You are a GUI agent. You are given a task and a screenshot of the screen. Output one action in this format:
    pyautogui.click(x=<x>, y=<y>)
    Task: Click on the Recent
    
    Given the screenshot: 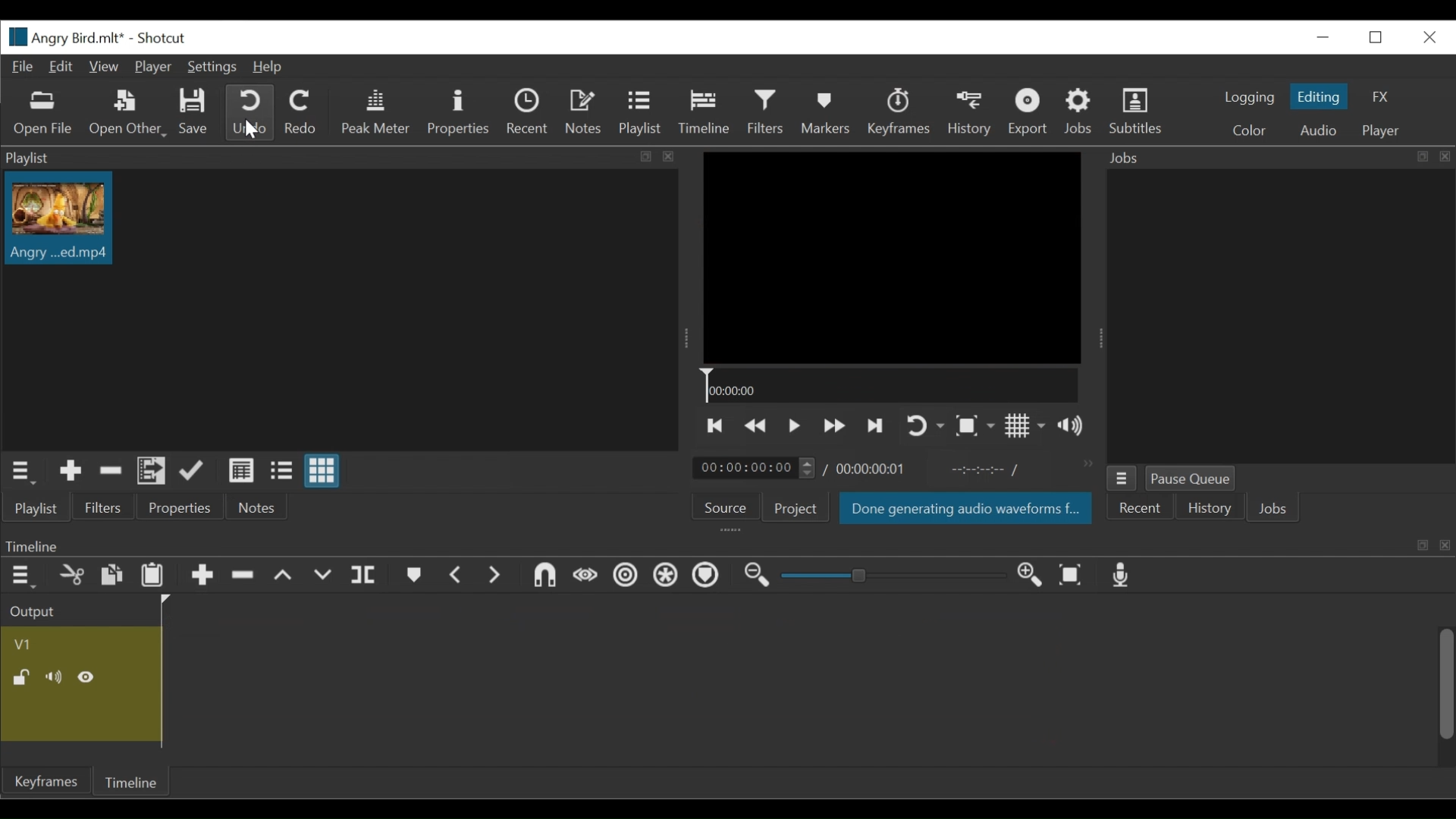 What is the action you would take?
    pyautogui.click(x=529, y=113)
    